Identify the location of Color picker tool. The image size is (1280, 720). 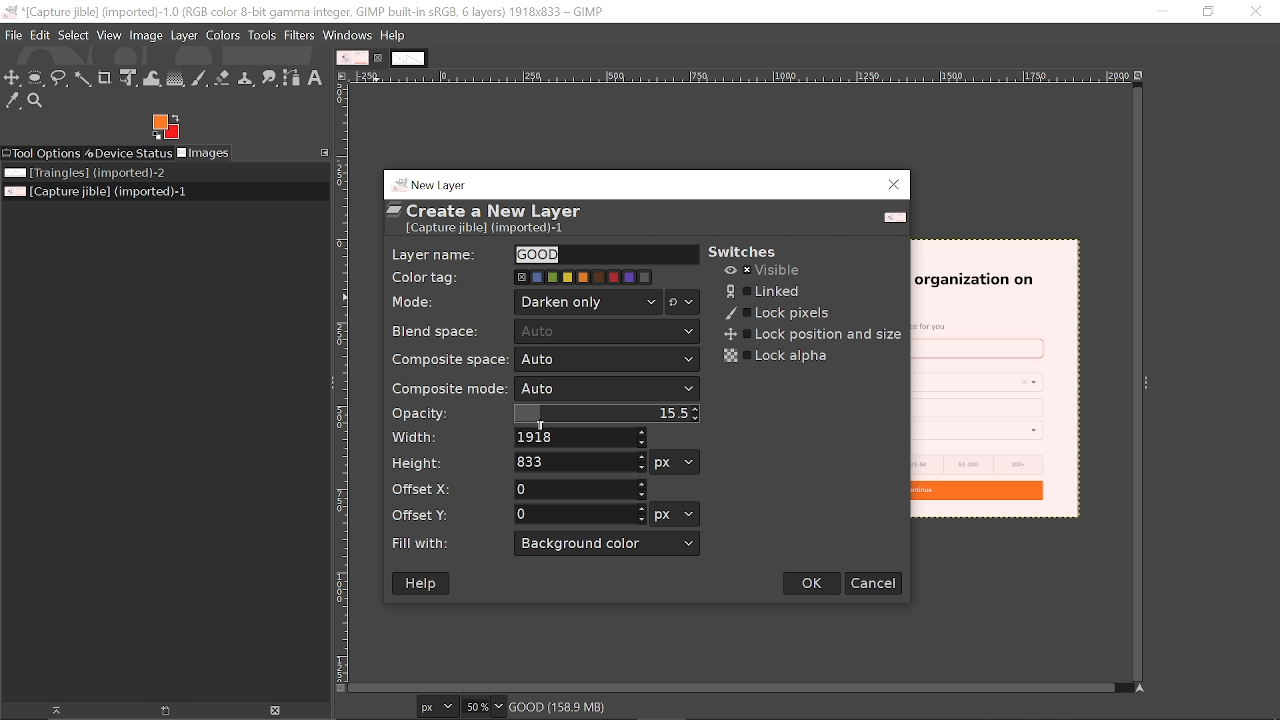
(11, 101).